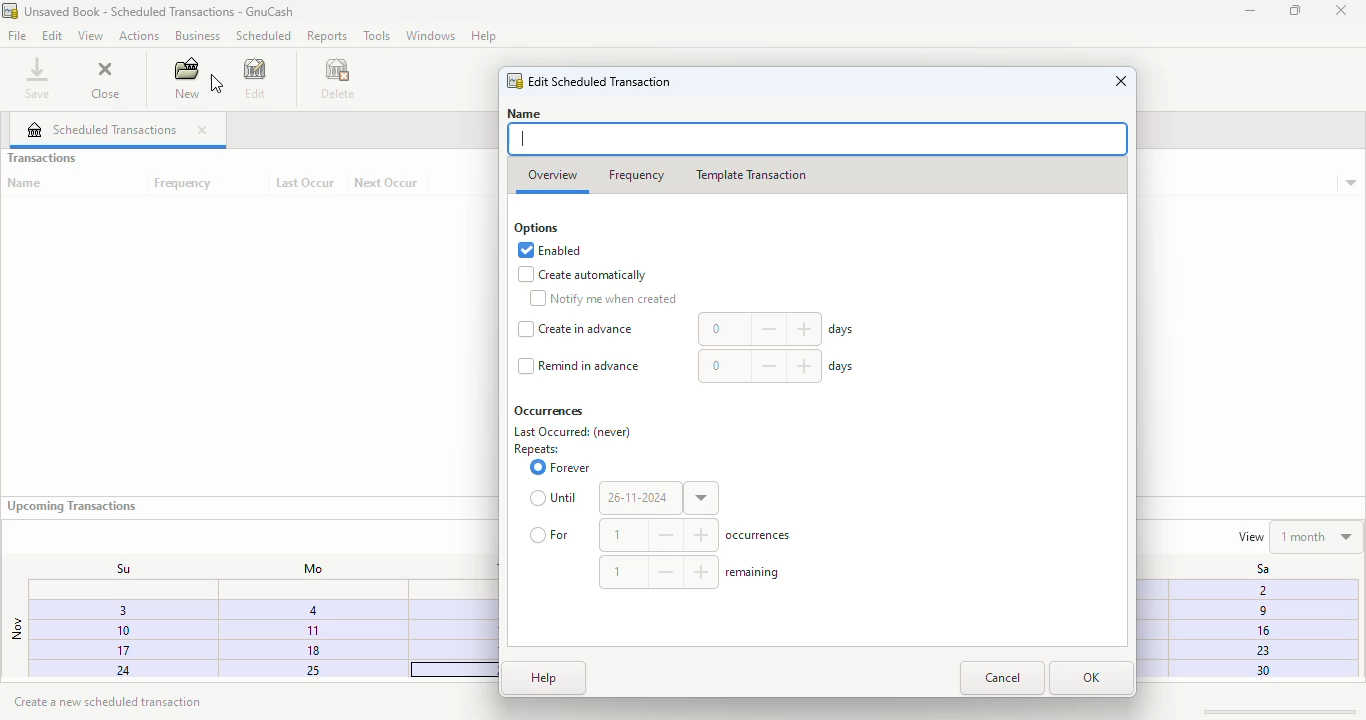  I want to click on 3, so click(111, 613).